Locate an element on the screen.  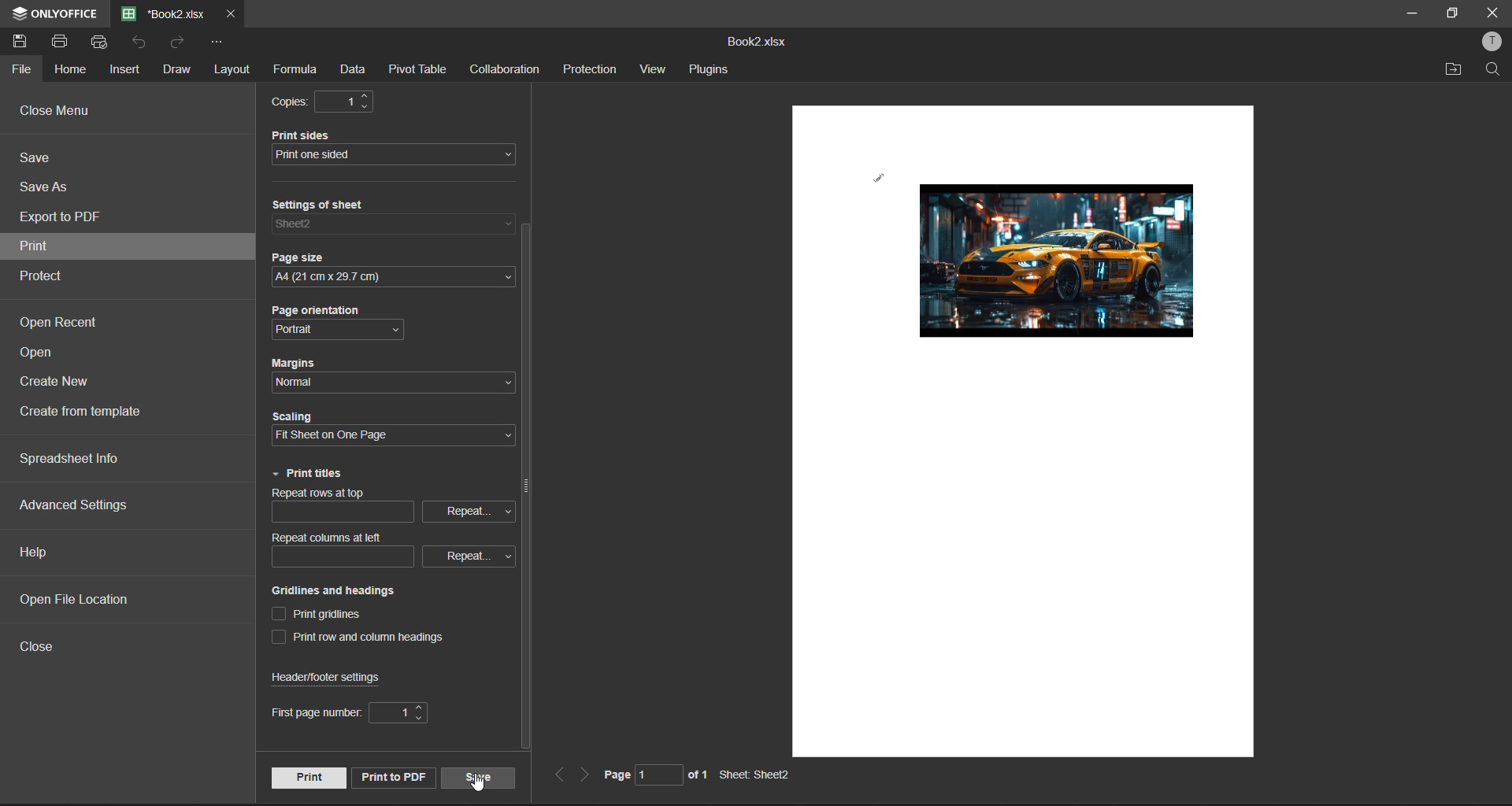
save is located at coordinates (25, 44).